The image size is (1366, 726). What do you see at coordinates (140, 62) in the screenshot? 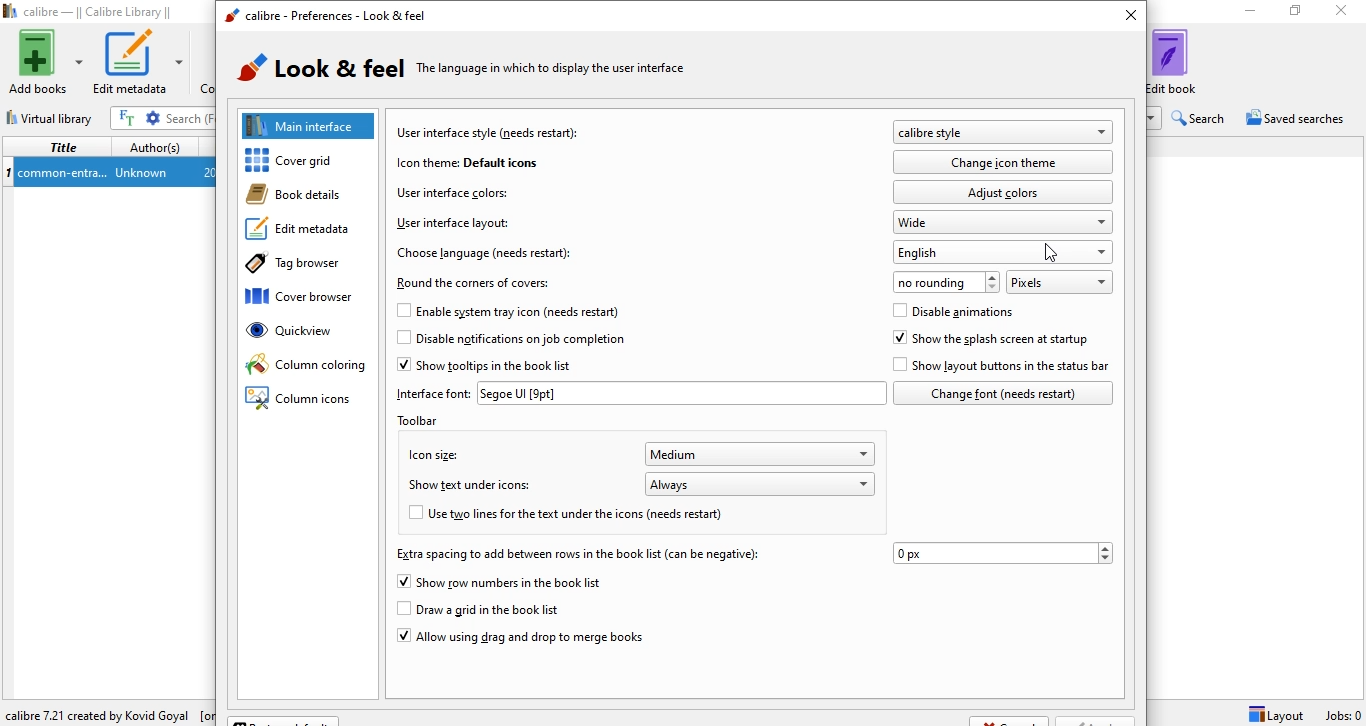
I see `Edit metadata` at bounding box center [140, 62].